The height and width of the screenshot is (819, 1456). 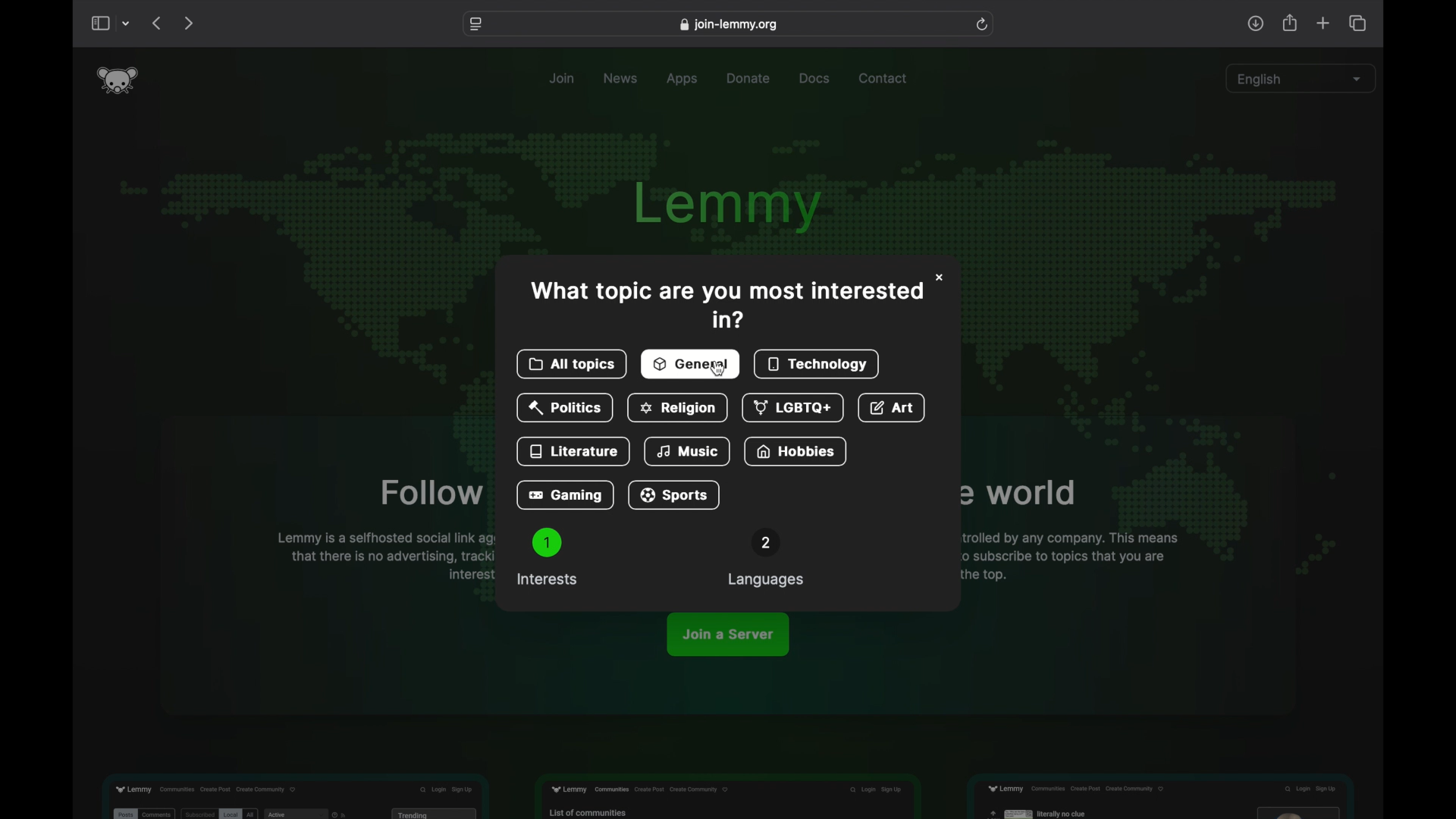 I want to click on lemmy, so click(x=732, y=207).